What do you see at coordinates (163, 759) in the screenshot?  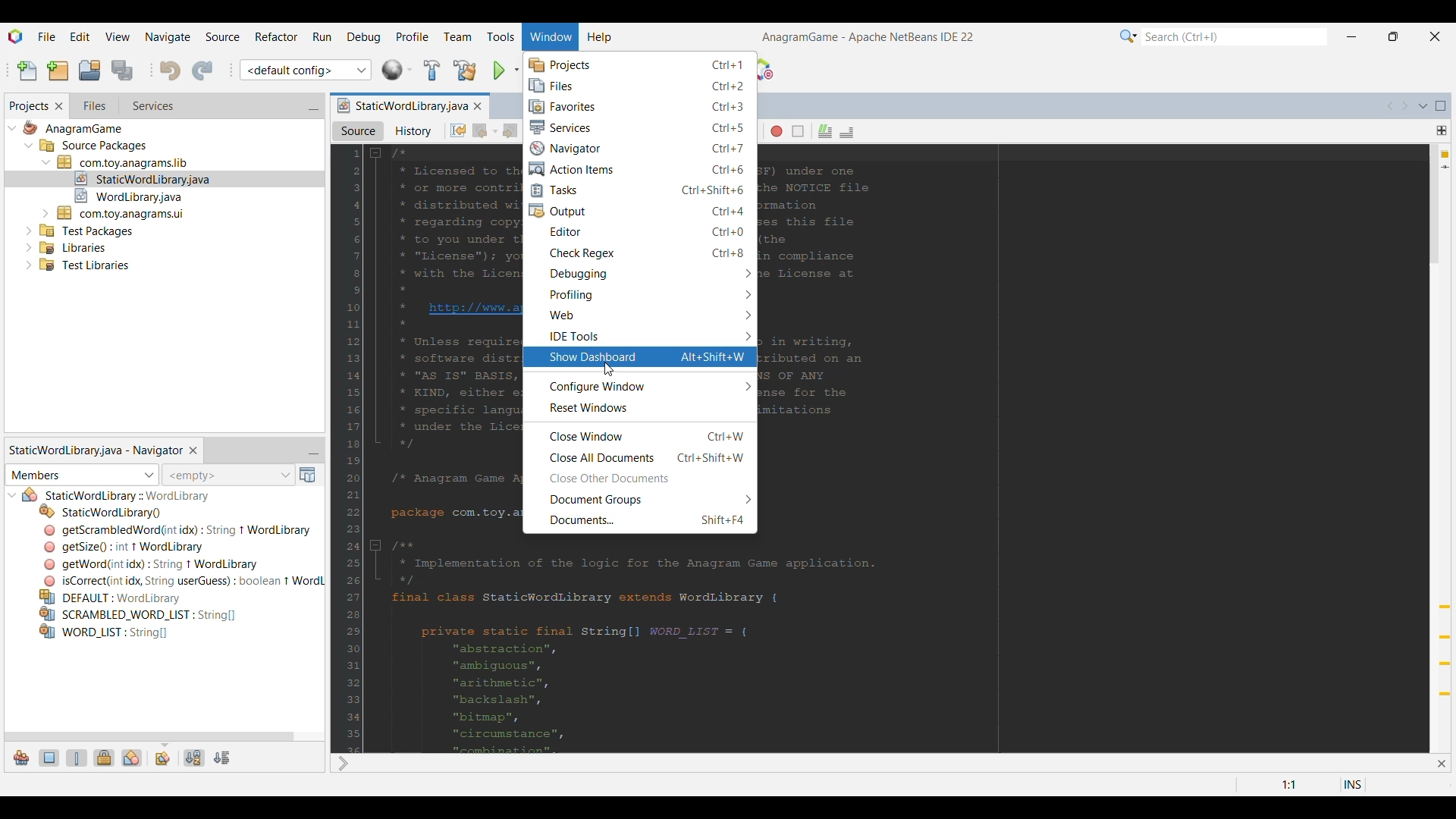 I see `Fully qualified names` at bounding box center [163, 759].